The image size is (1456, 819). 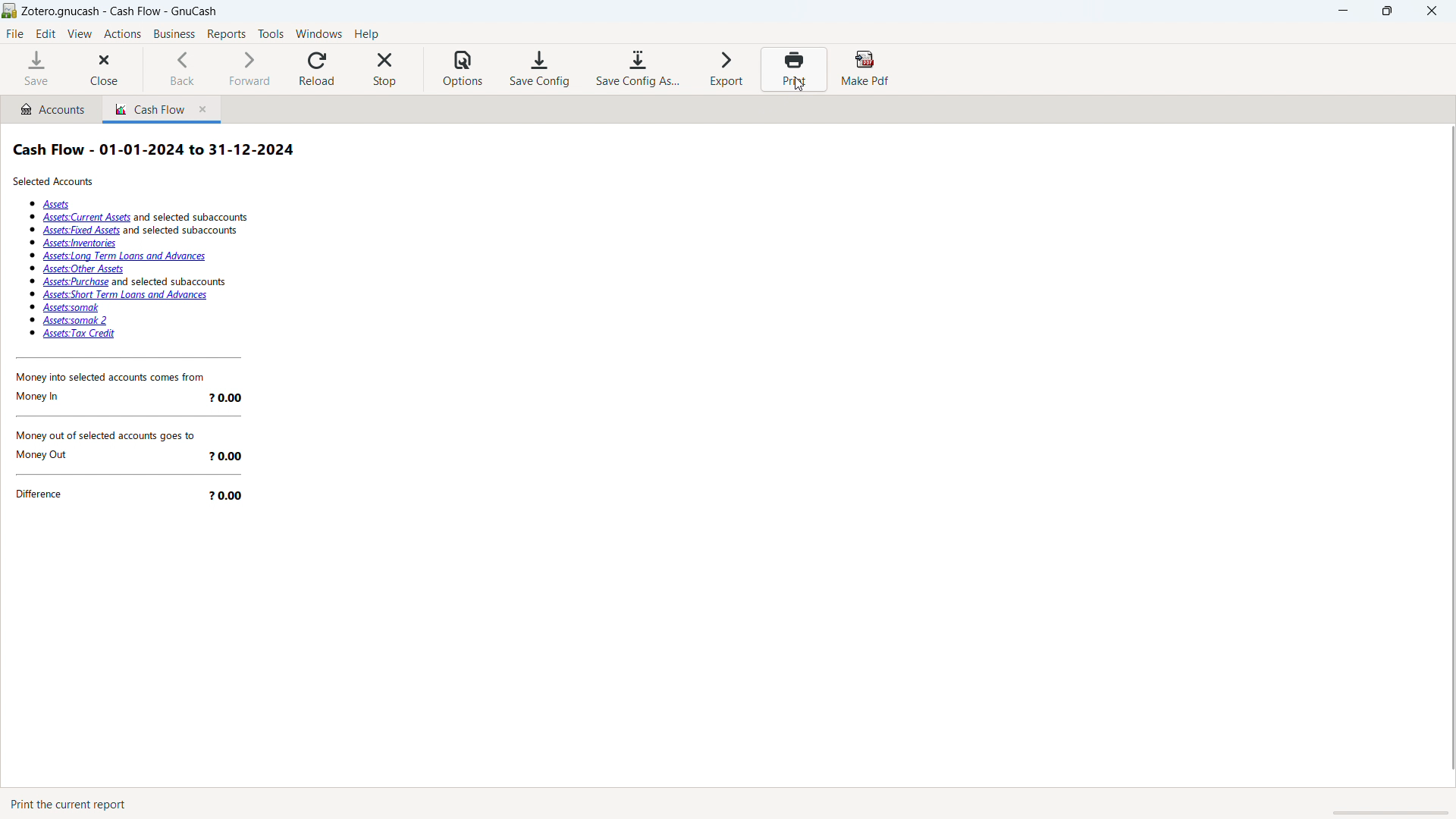 I want to click on help, so click(x=366, y=34).